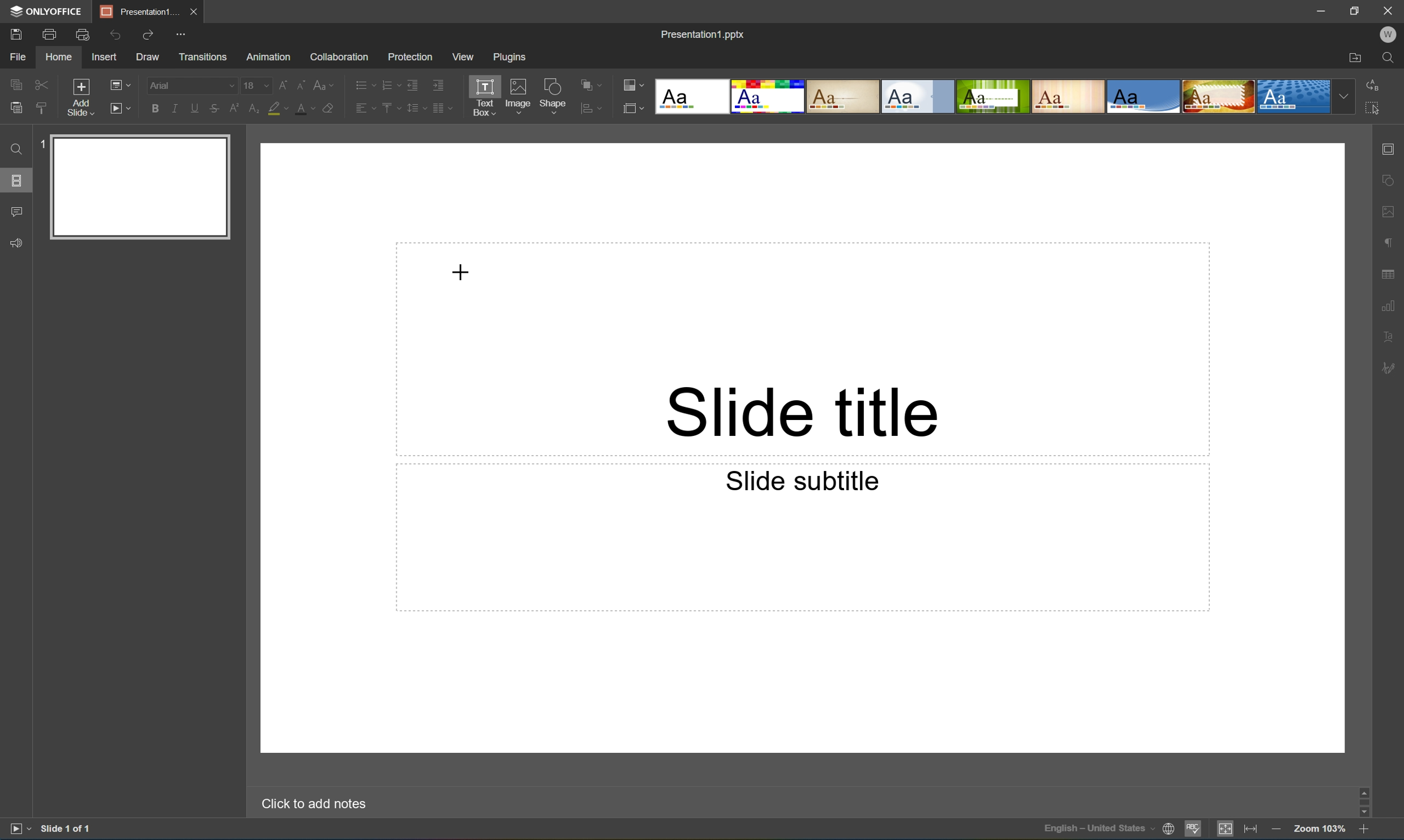  Describe the element at coordinates (78, 98) in the screenshot. I see `Add slide` at that location.